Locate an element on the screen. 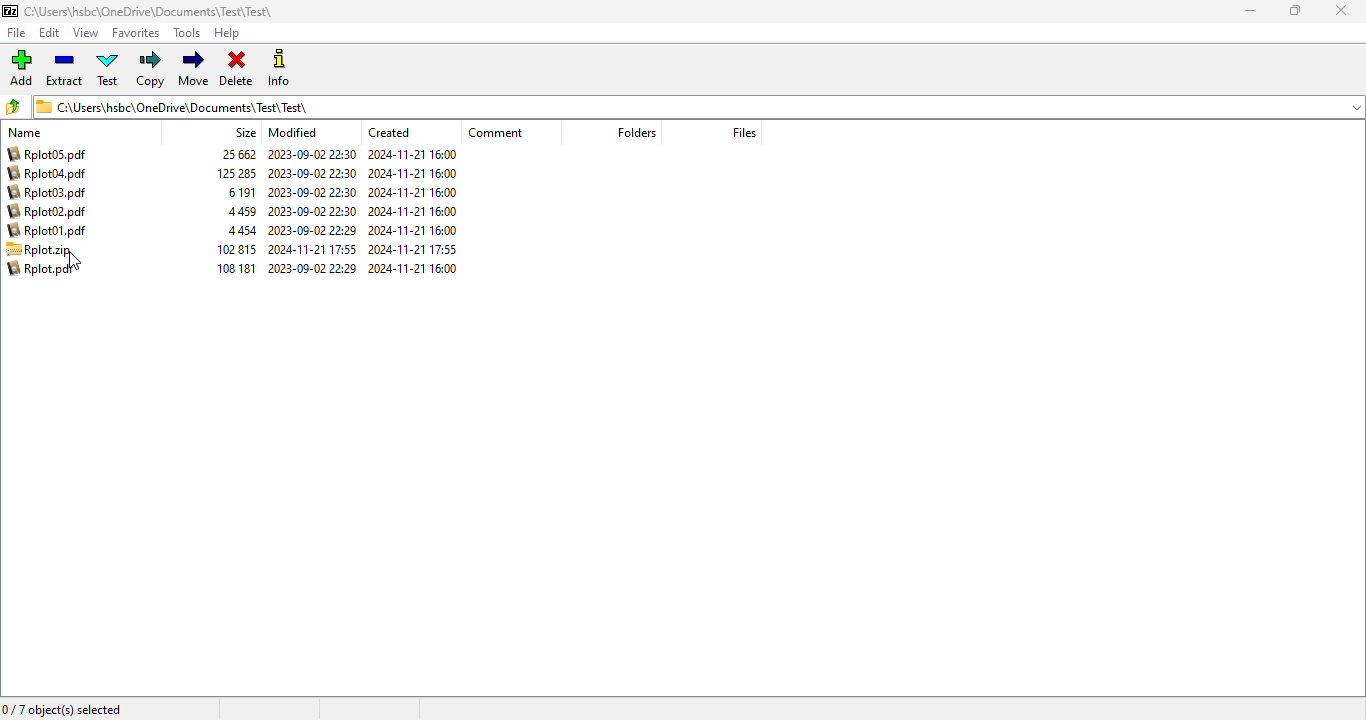  modified date & time is located at coordinates (312, 211).